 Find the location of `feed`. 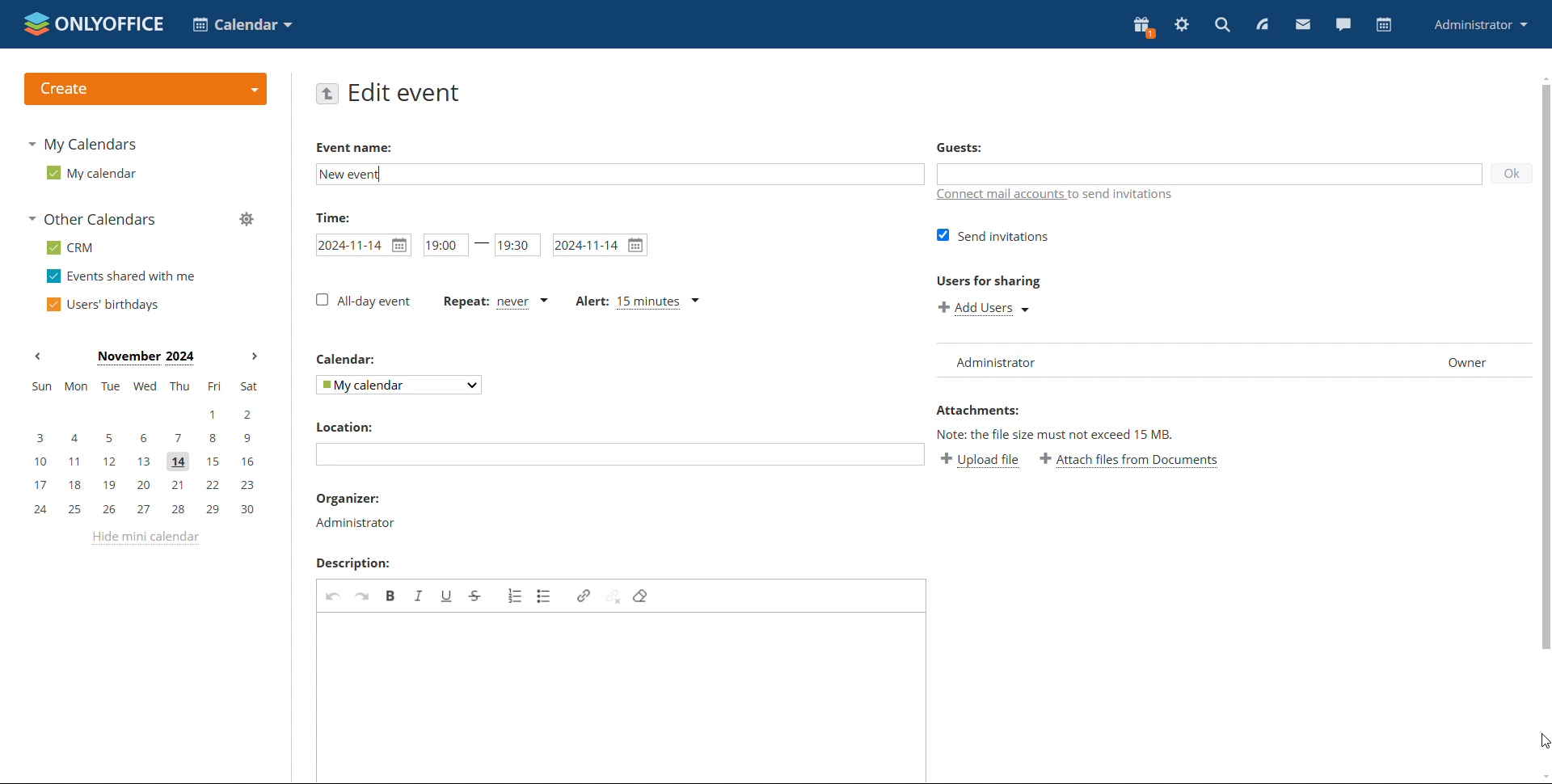

feed is located at coordinates (1261, 23).